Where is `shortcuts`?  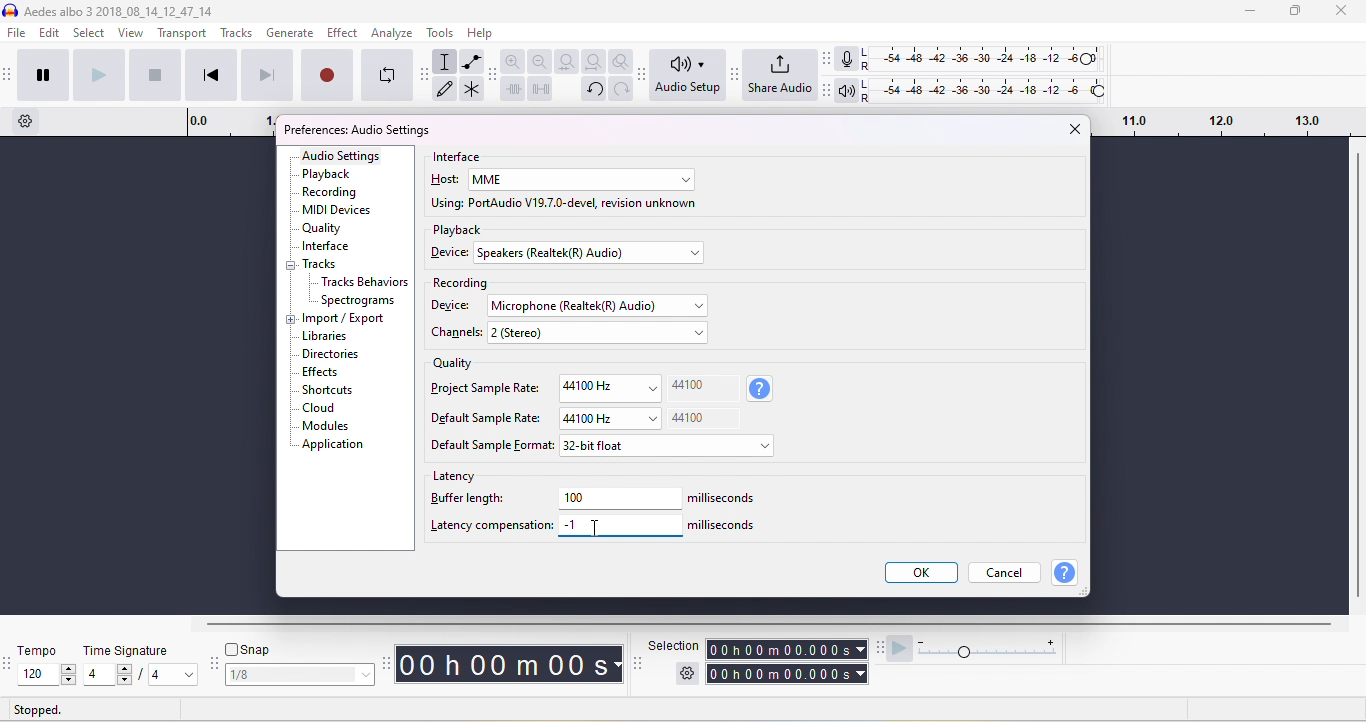
shortcuts is located at coordinates (327, 390).